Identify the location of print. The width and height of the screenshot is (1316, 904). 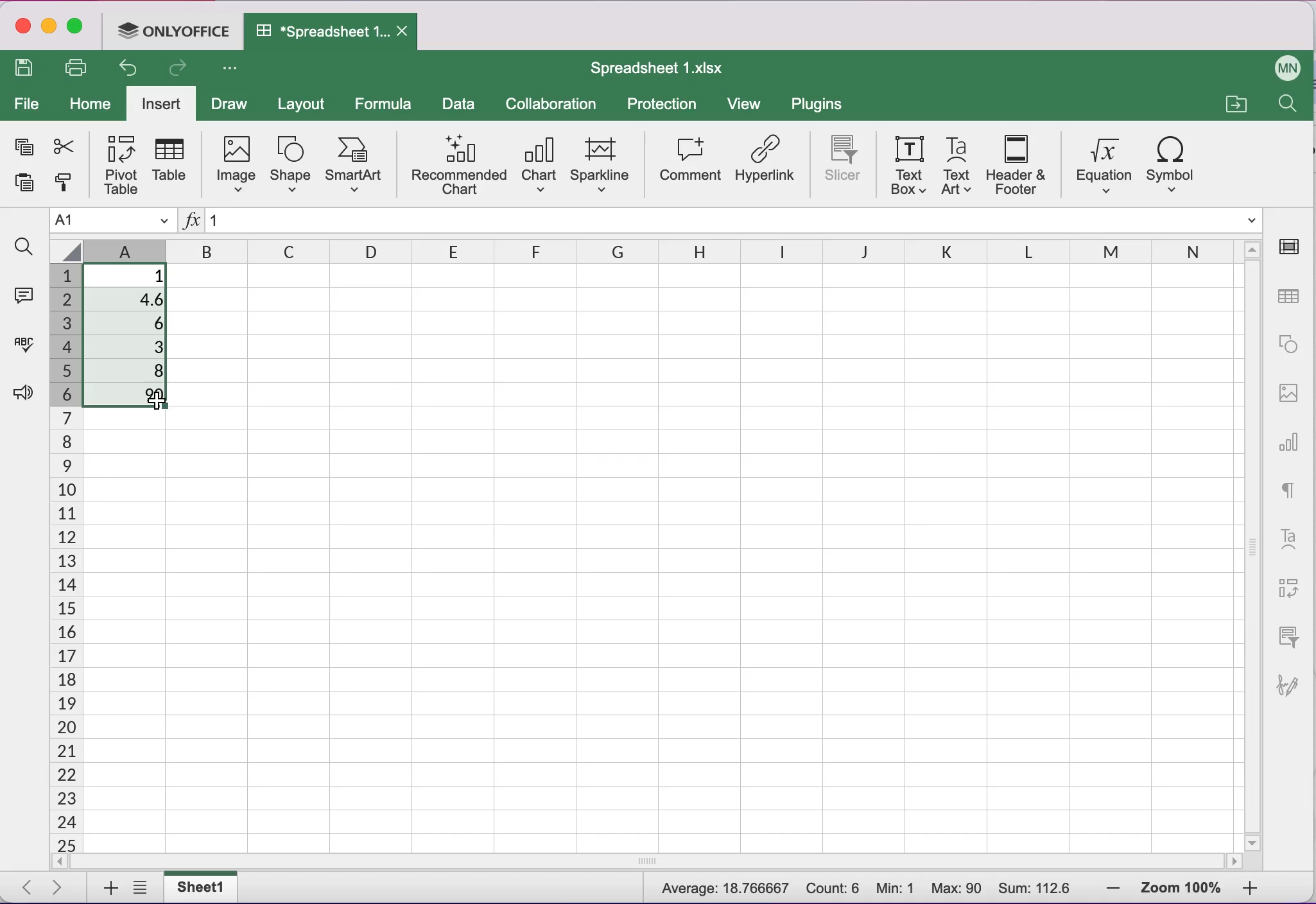
(77, 69).